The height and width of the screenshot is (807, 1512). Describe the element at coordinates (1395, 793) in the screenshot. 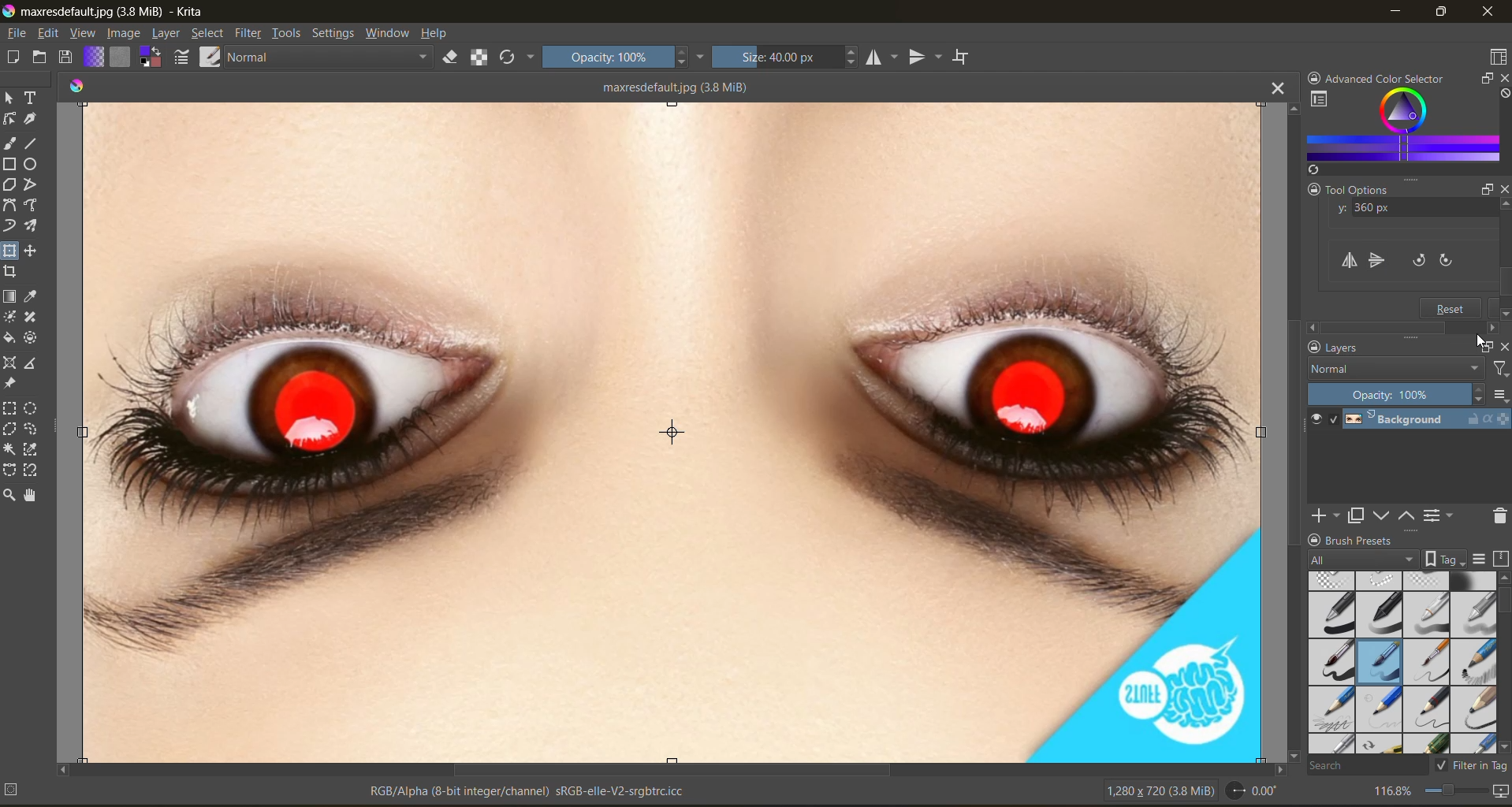

I see `zoom factor` at that location.